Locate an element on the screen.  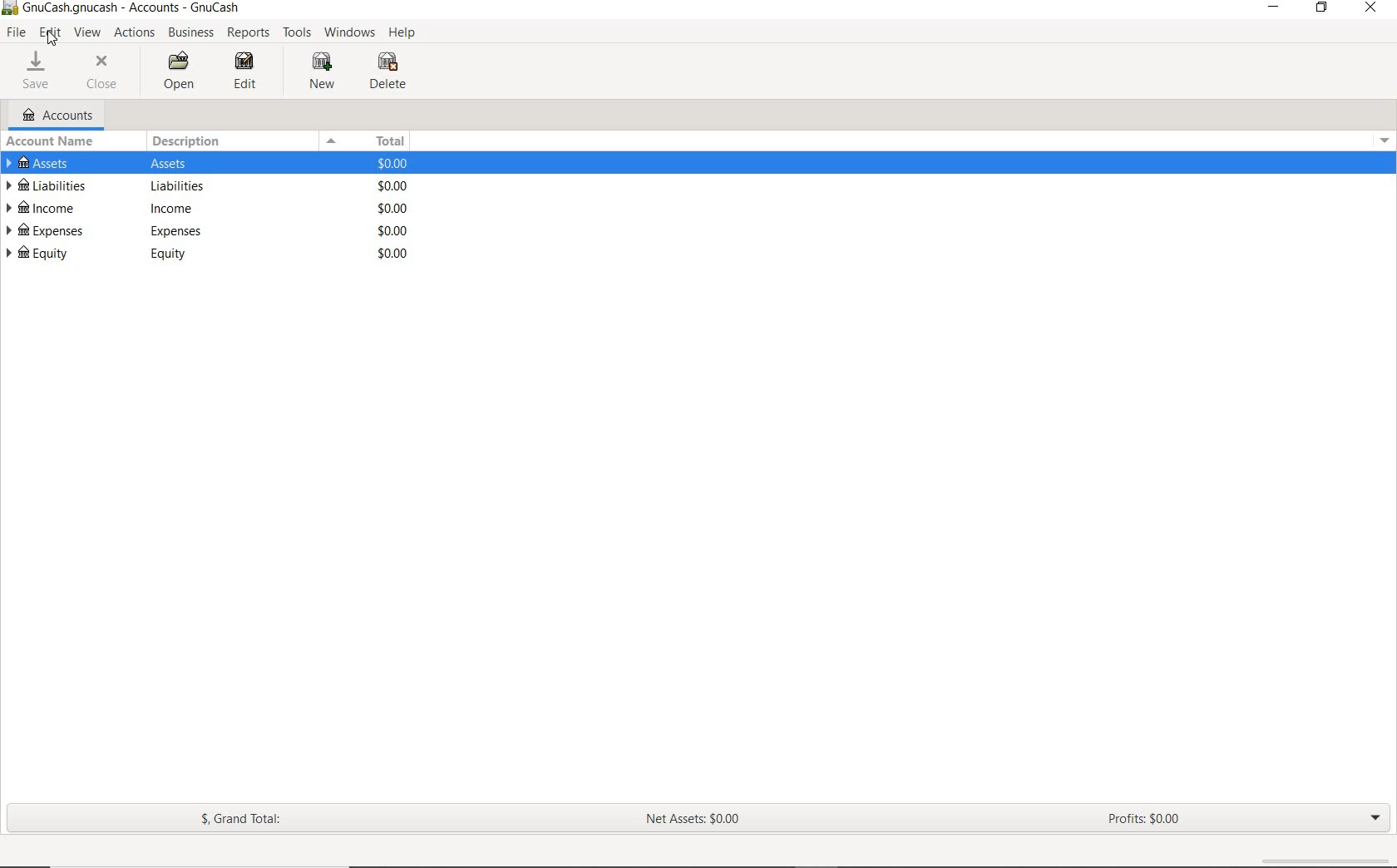
DELETE is located at coordinates (390, 74).